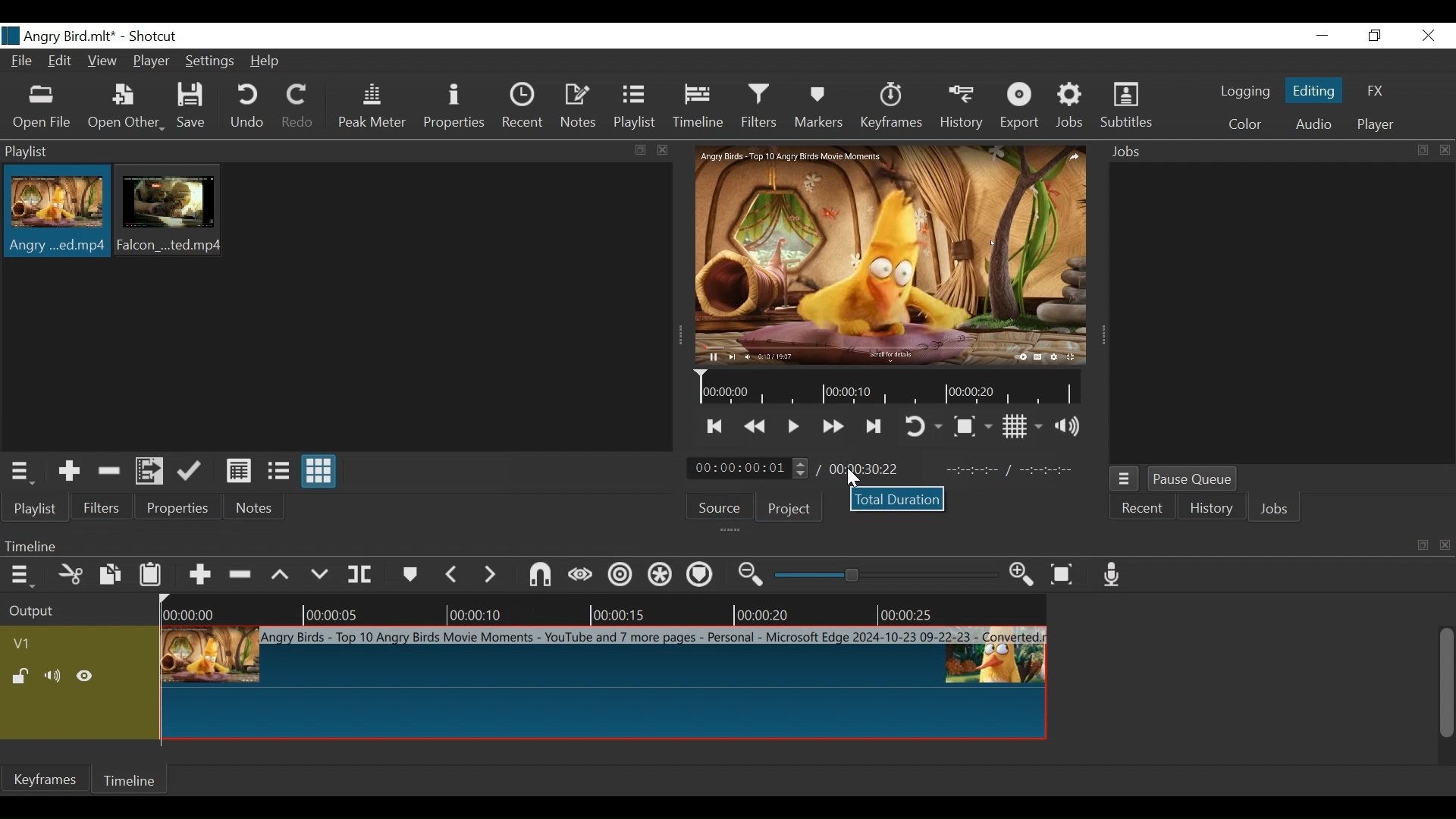  Describe the element at coordinates (1246, 91) in the screenshot. I see `logging` at that location.